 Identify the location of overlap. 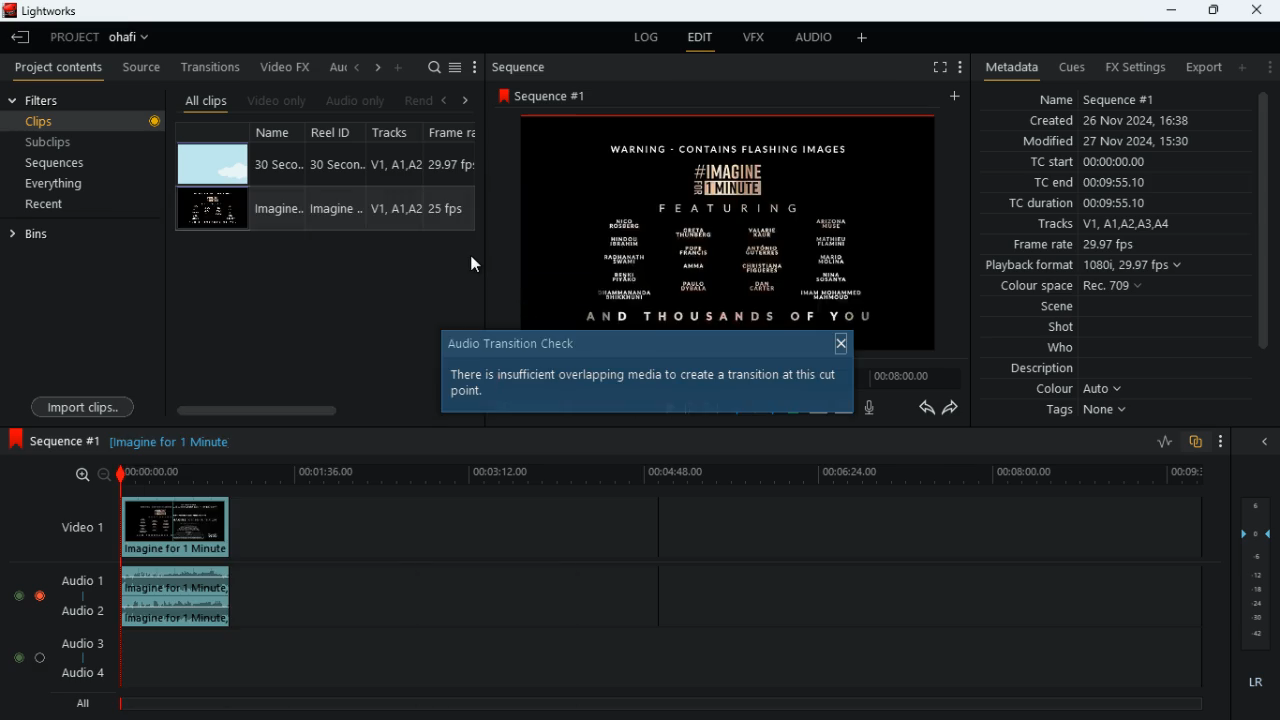
(1197, 443).